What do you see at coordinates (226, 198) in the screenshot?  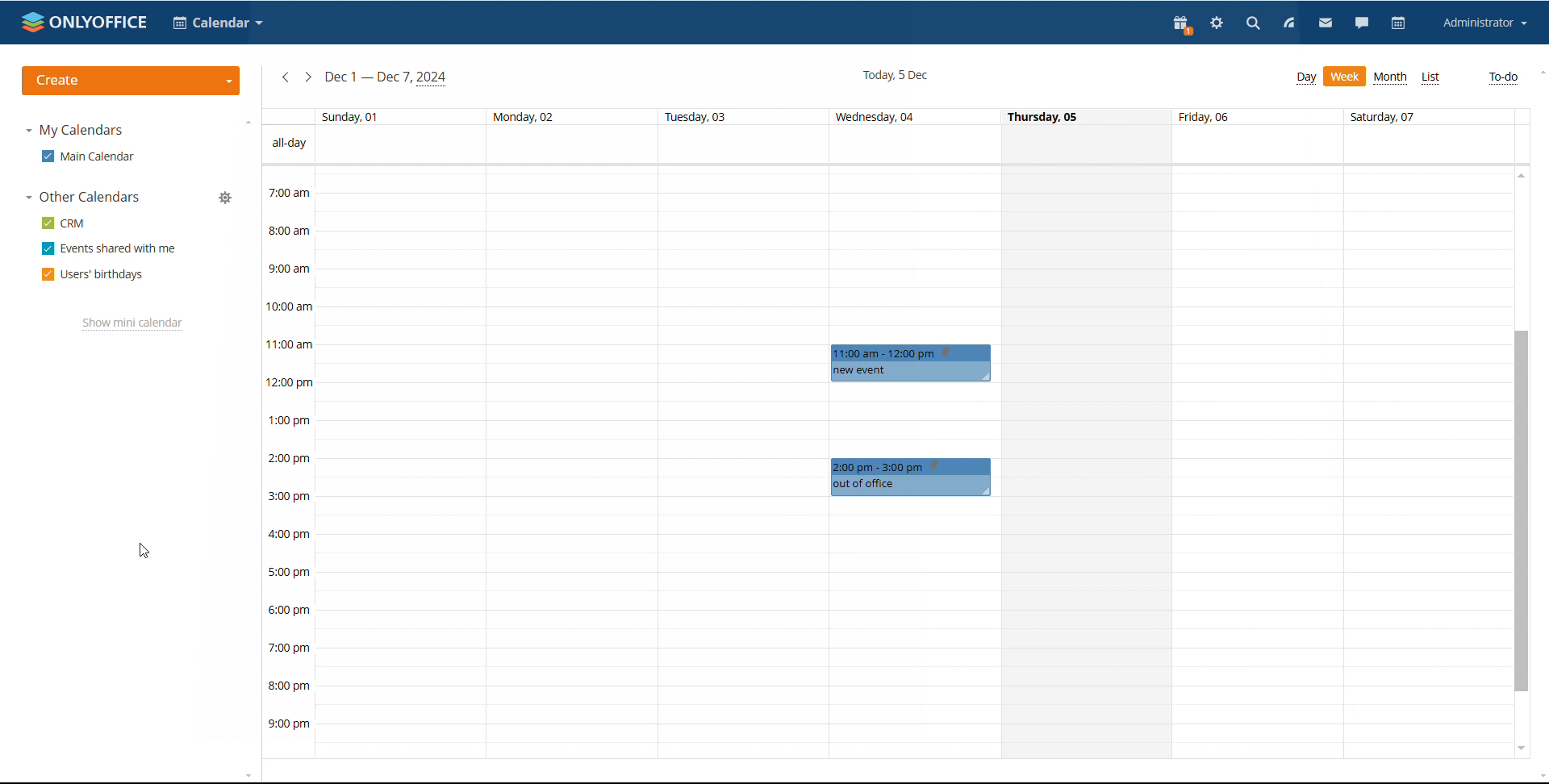 I see `manage` at bounding box center [226, 198].